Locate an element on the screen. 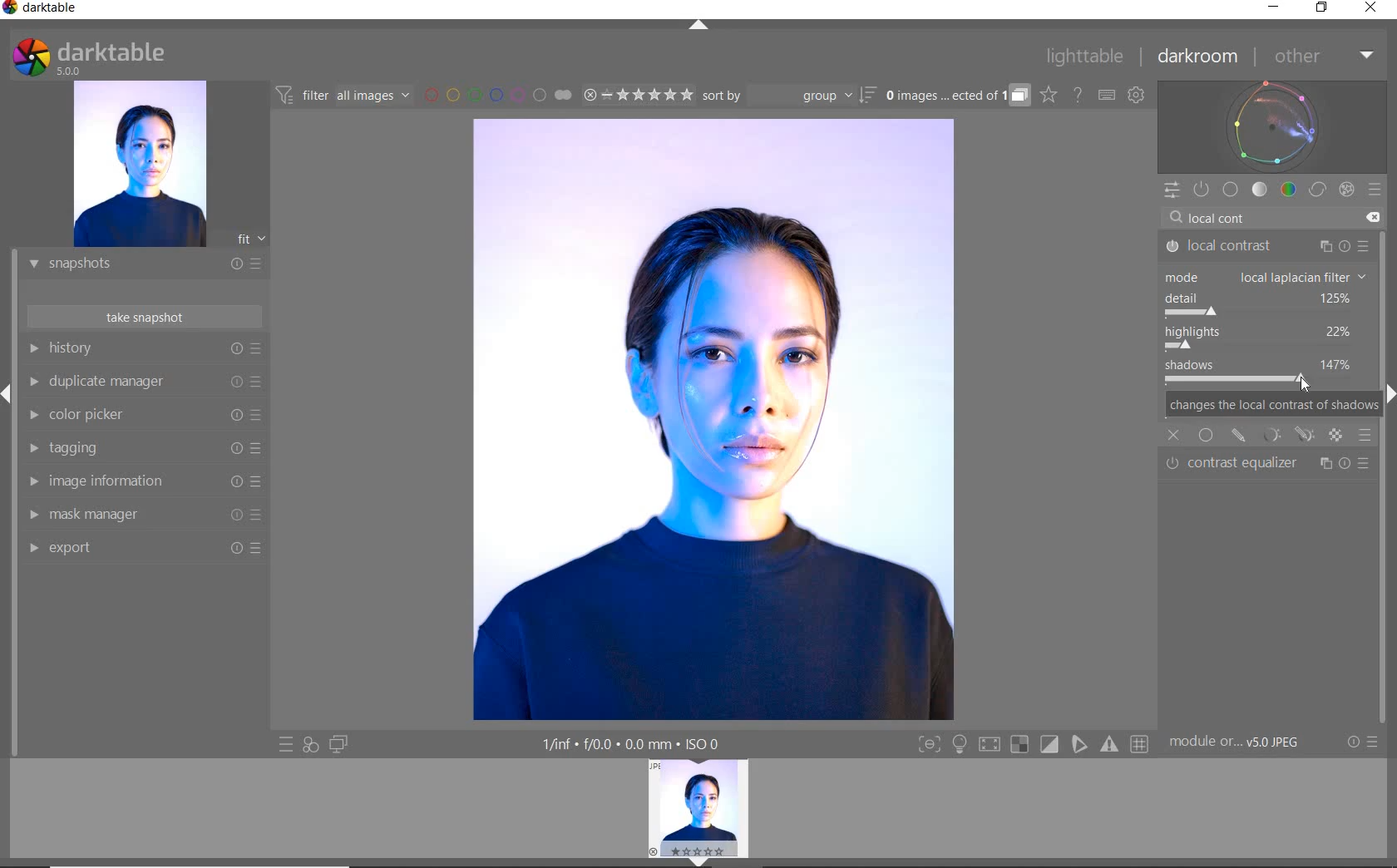 The width and height of the screenshot is (1397, 868). QUICK ACCESS PANEL is located at coordinates (1171, 191).